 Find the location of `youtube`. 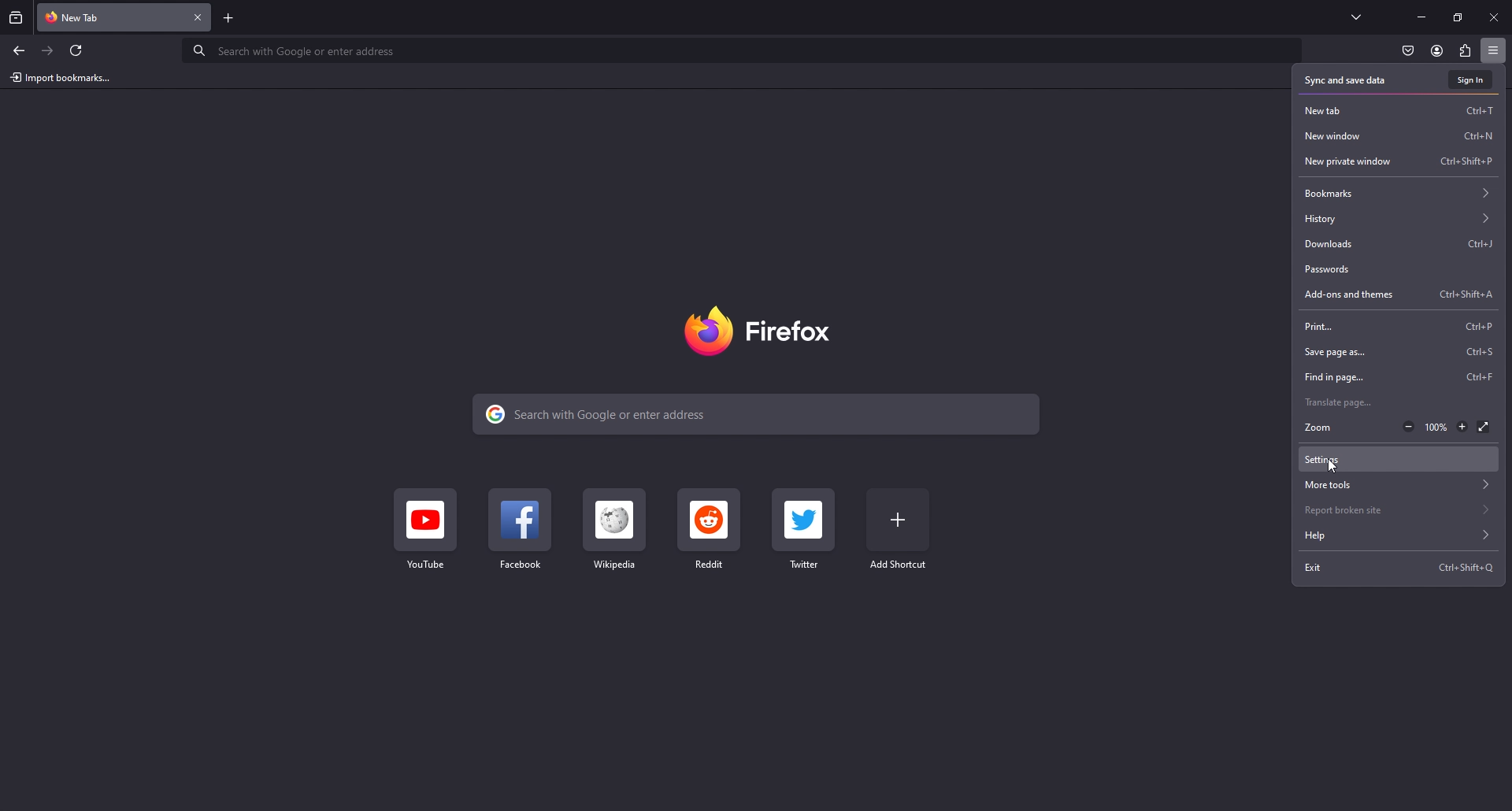

youtube is located at coordinates (423, 531).